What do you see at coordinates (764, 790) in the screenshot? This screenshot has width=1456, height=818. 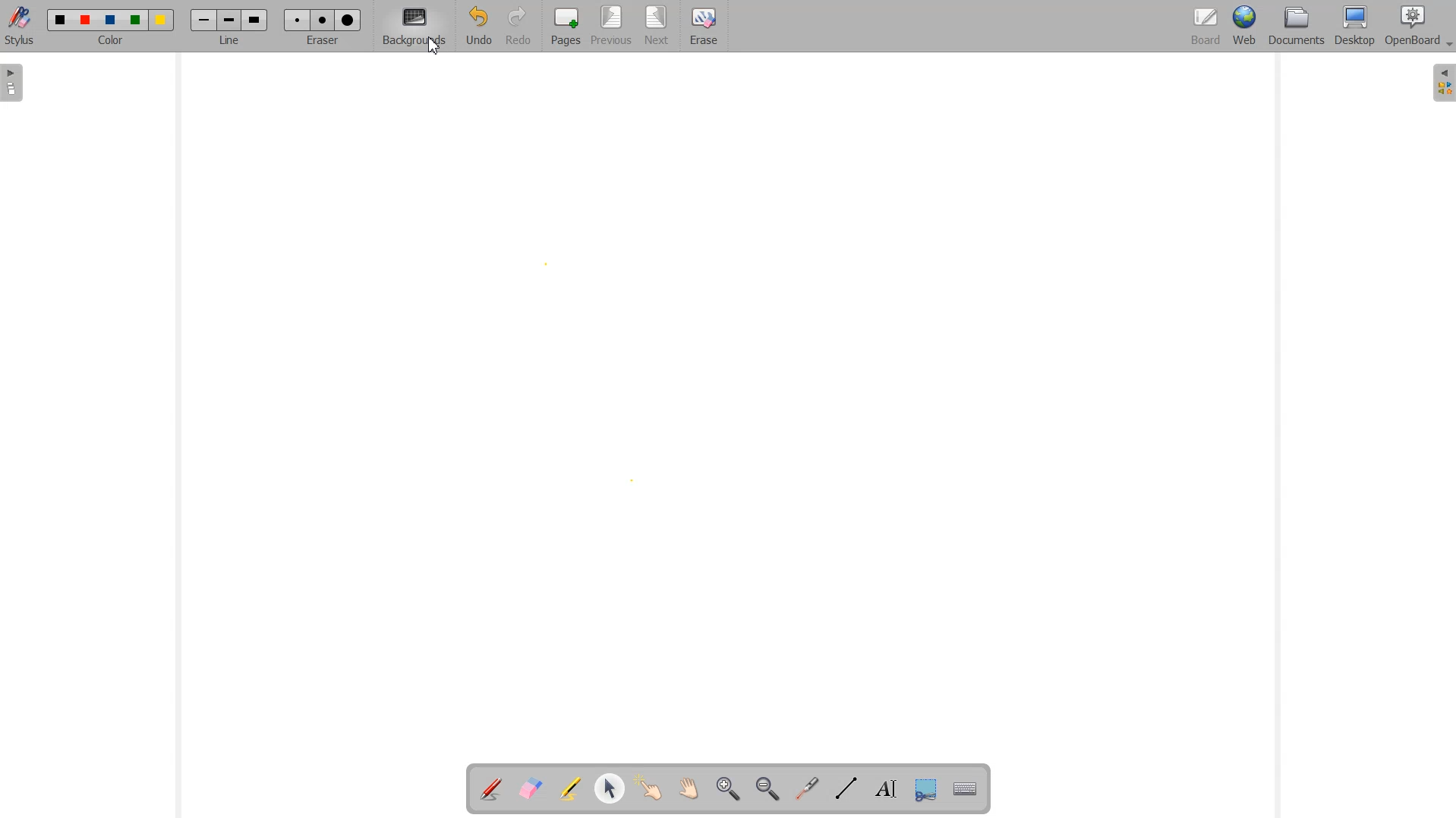 I see `Zoom Out` at bounding box center [764, 790].